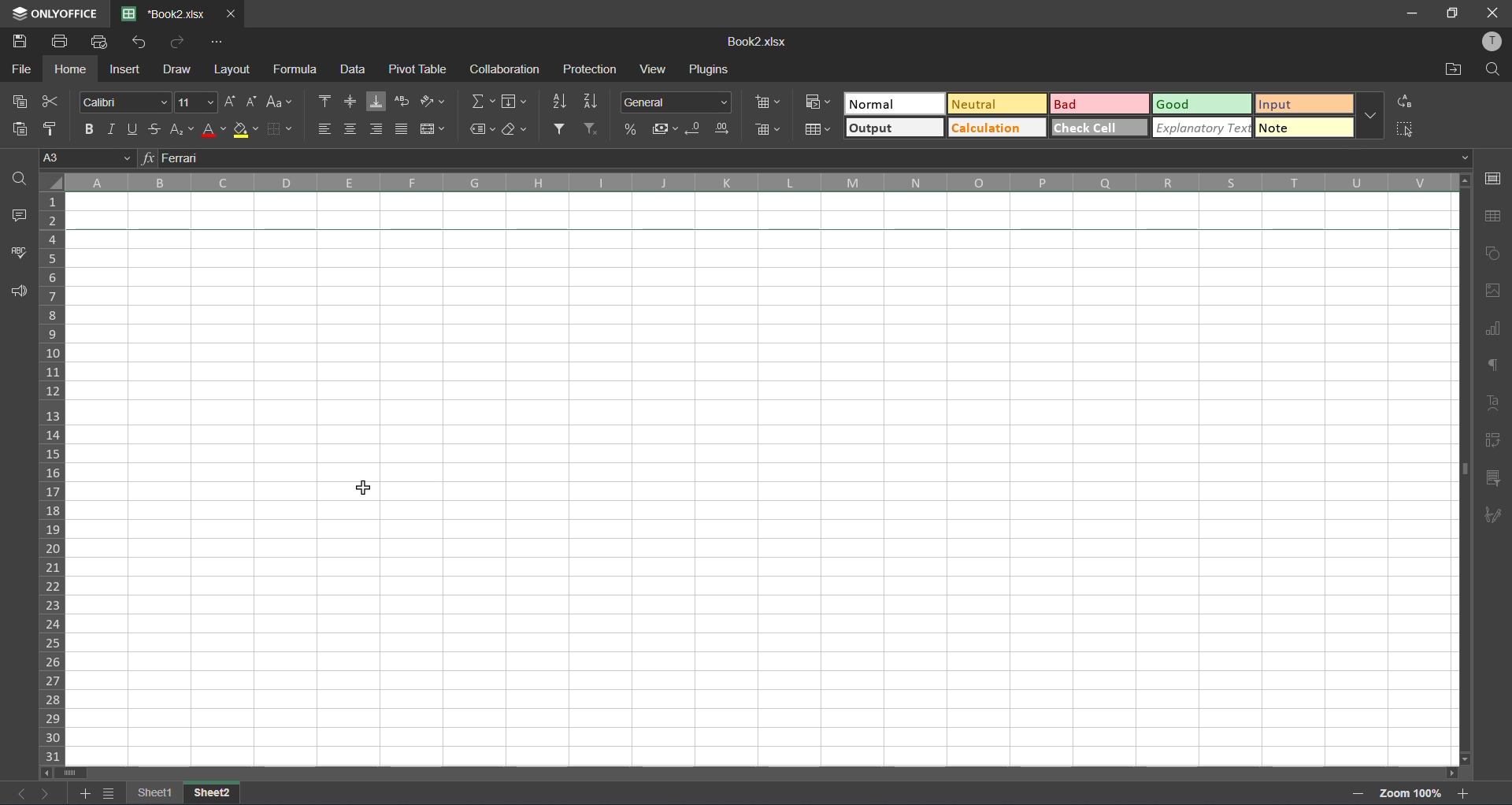 Image resolution: width=1512 pixels, height=805 pixels. What do you see at coordinates (324, 129) in the screenshot?
I see `align left` at bounding box center [324, 129].